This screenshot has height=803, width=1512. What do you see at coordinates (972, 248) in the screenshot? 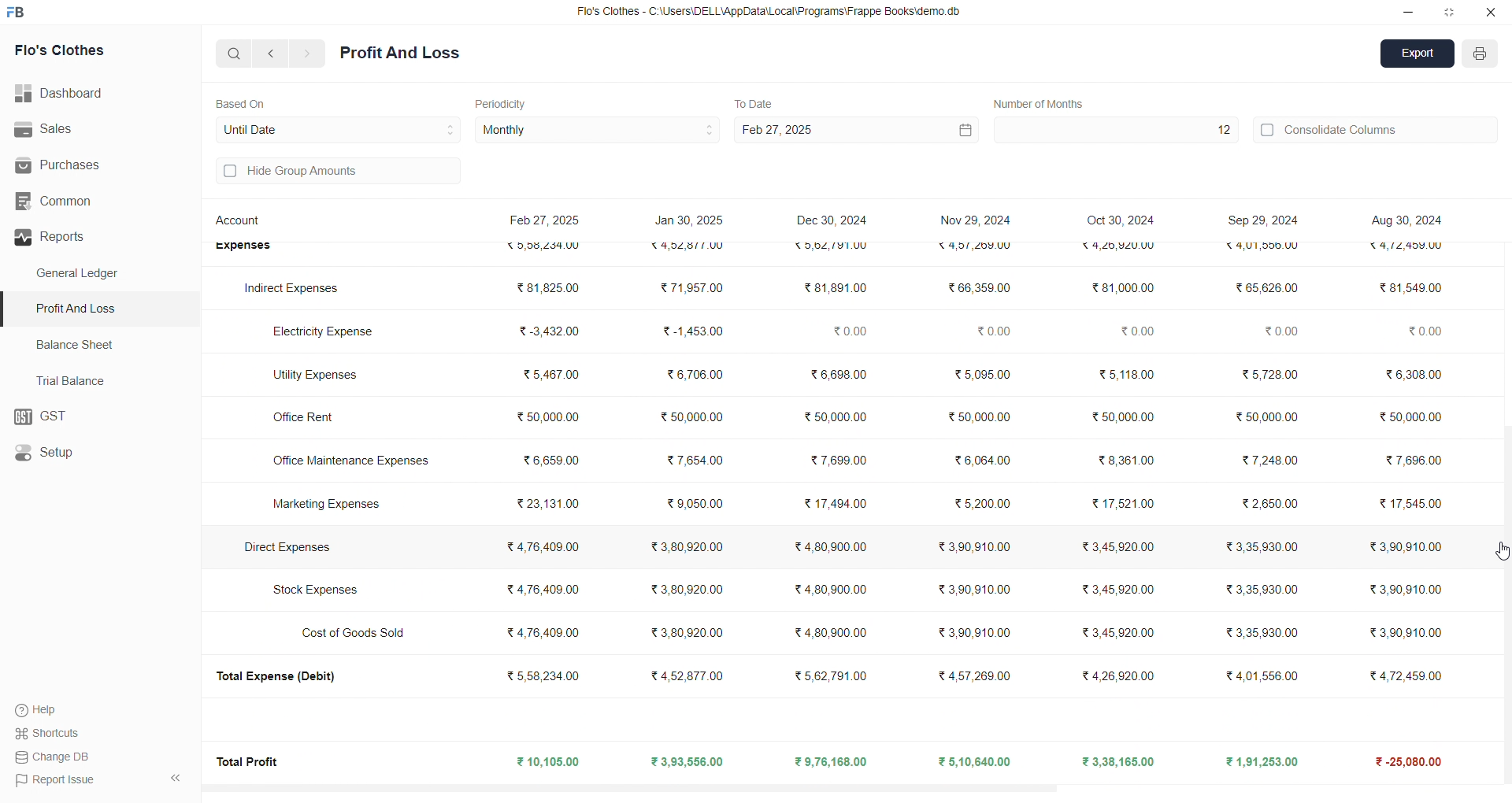
I see `₹4,57,269.00` at bounding box center [972, 248].